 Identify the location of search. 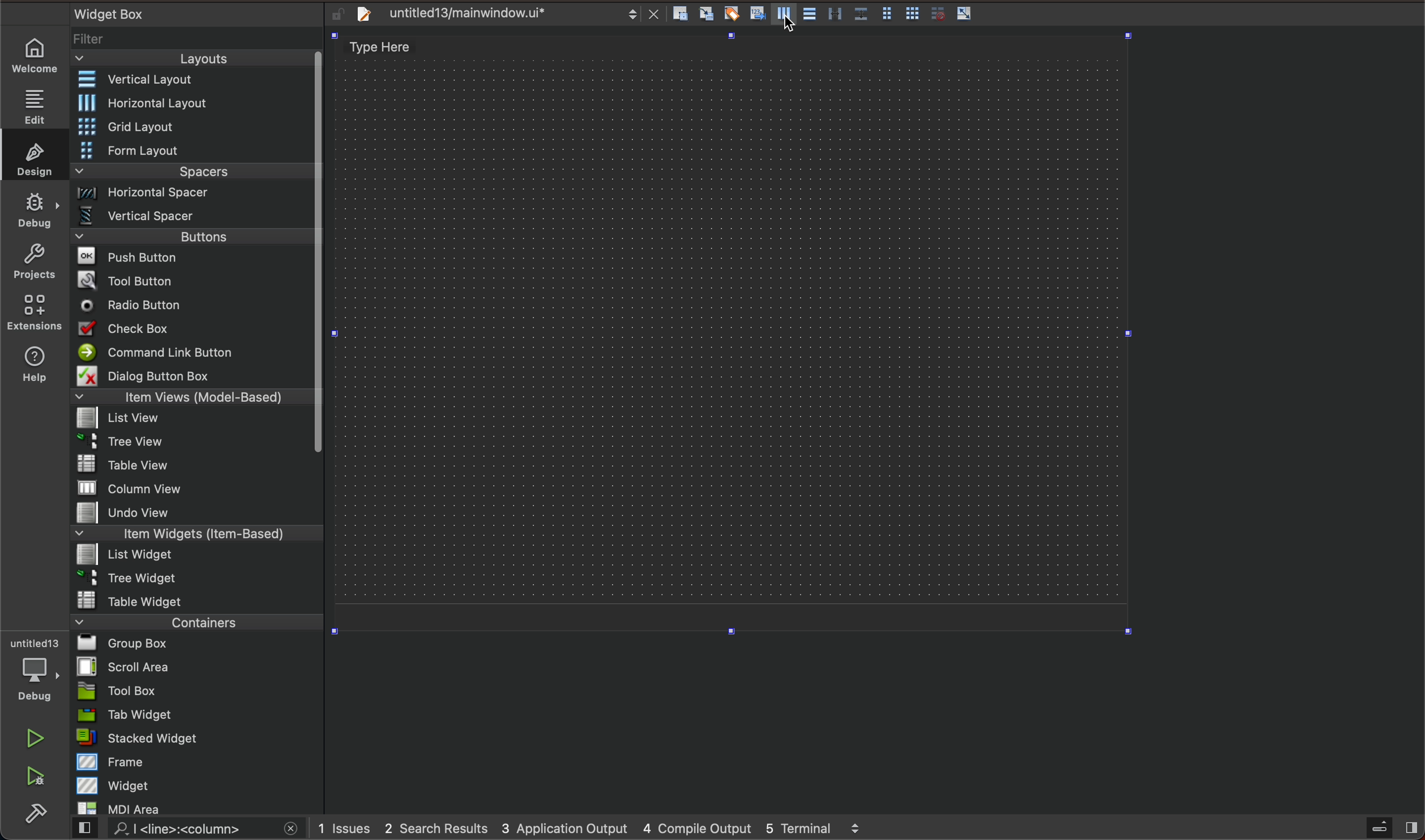
(189, 830).